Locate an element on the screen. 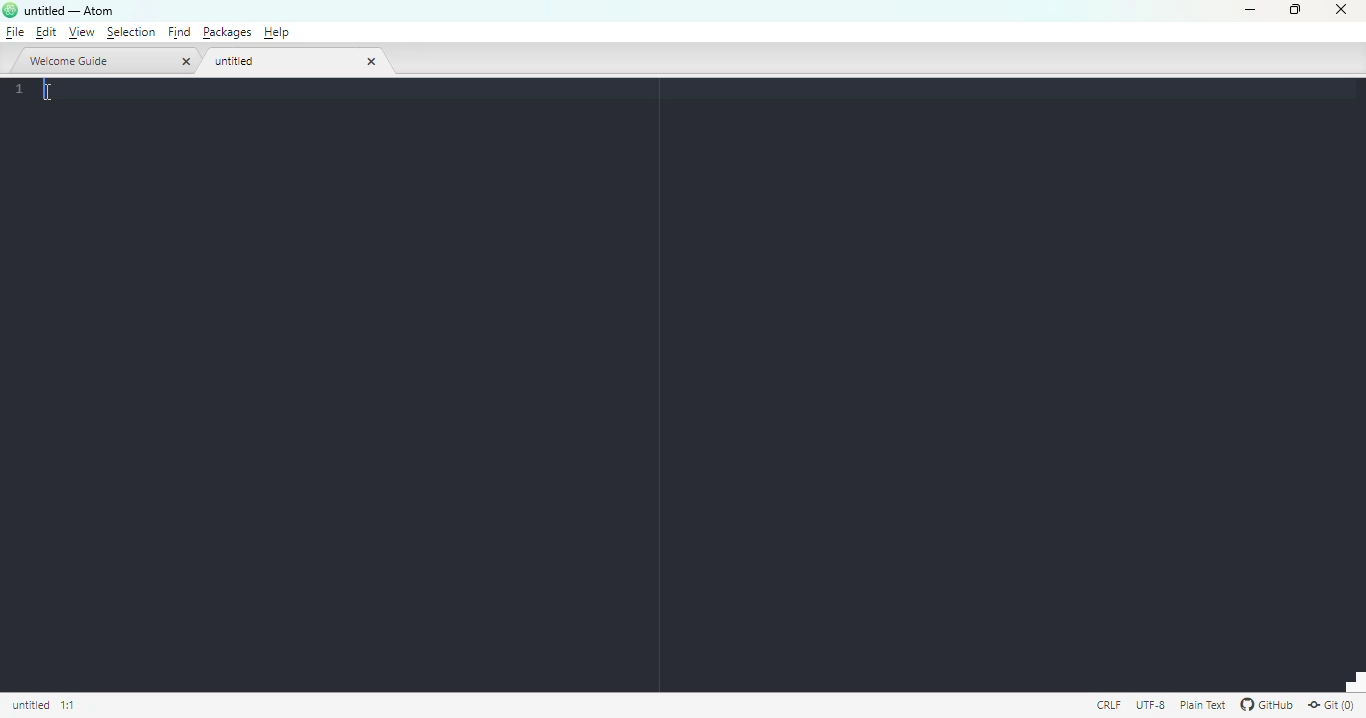 Image resolution: width=1366 pixels, height=718 pixels. text cursor is located at coordinates (44, 90).